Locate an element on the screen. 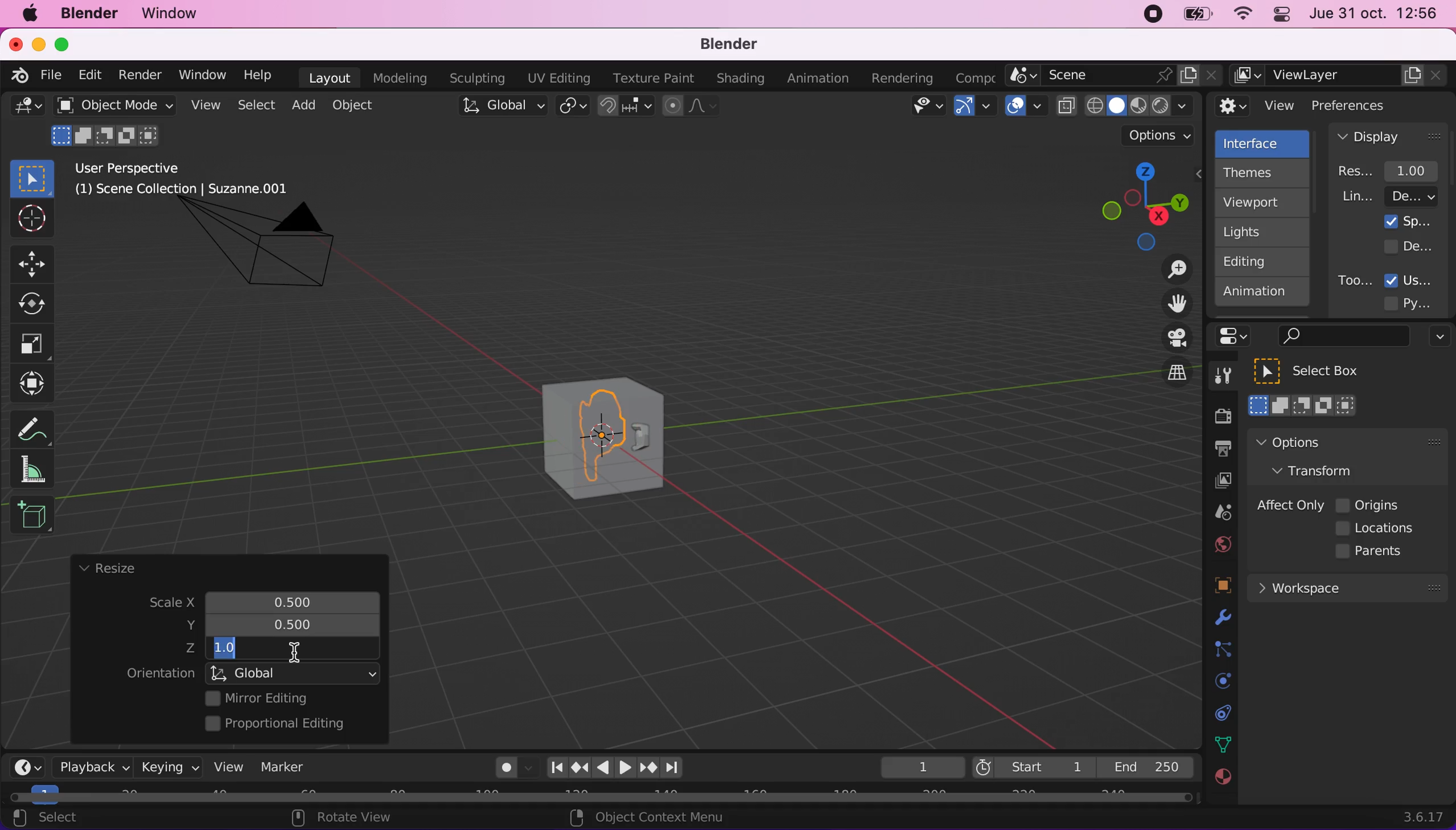 The width and height of the screenshot is (1456, 830). output is located at coordinates (1217, 450).